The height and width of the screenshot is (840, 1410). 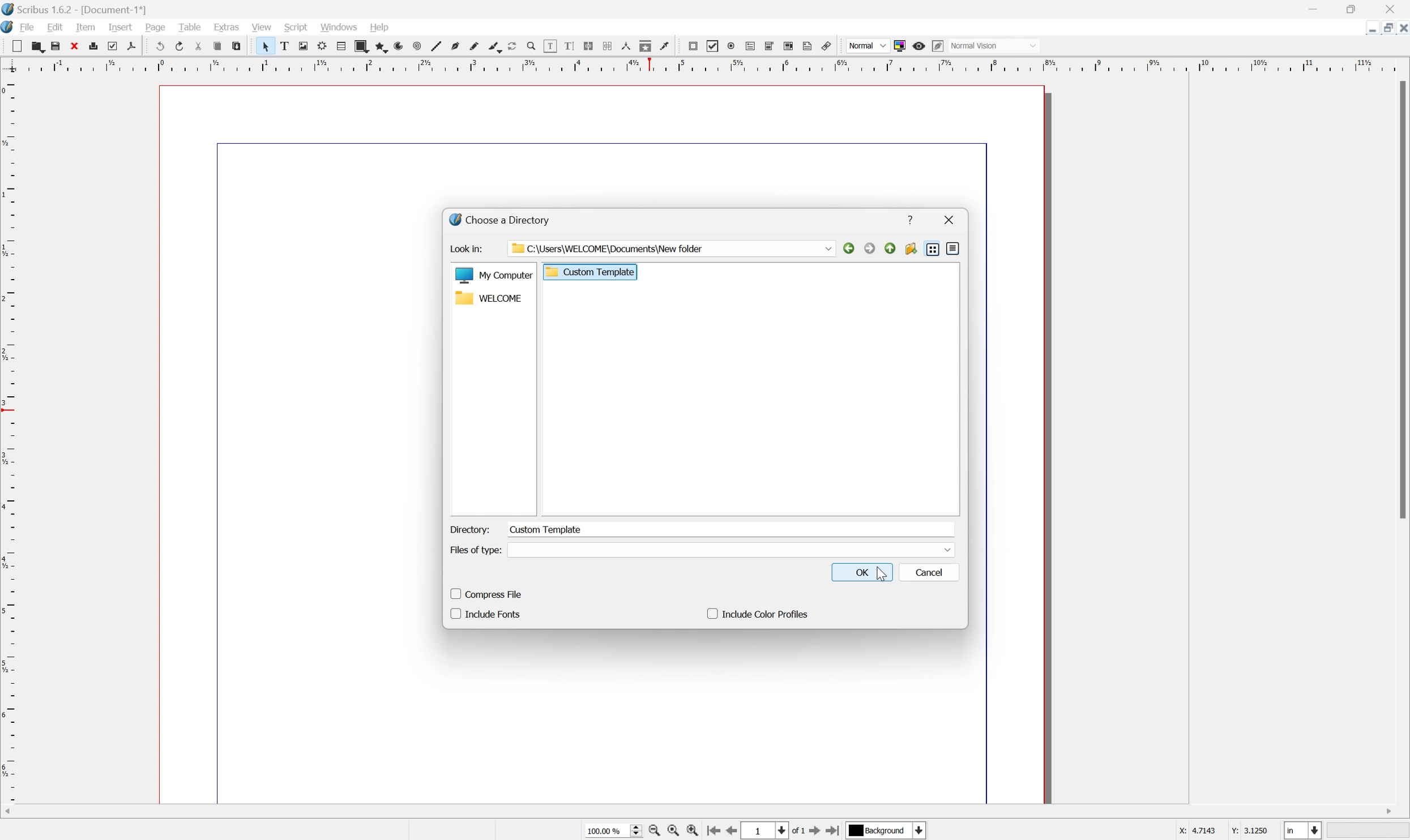 What do you see at coordinates (121, 28) in the screenshot?
I see `insert` at bounding box center [121, 28].